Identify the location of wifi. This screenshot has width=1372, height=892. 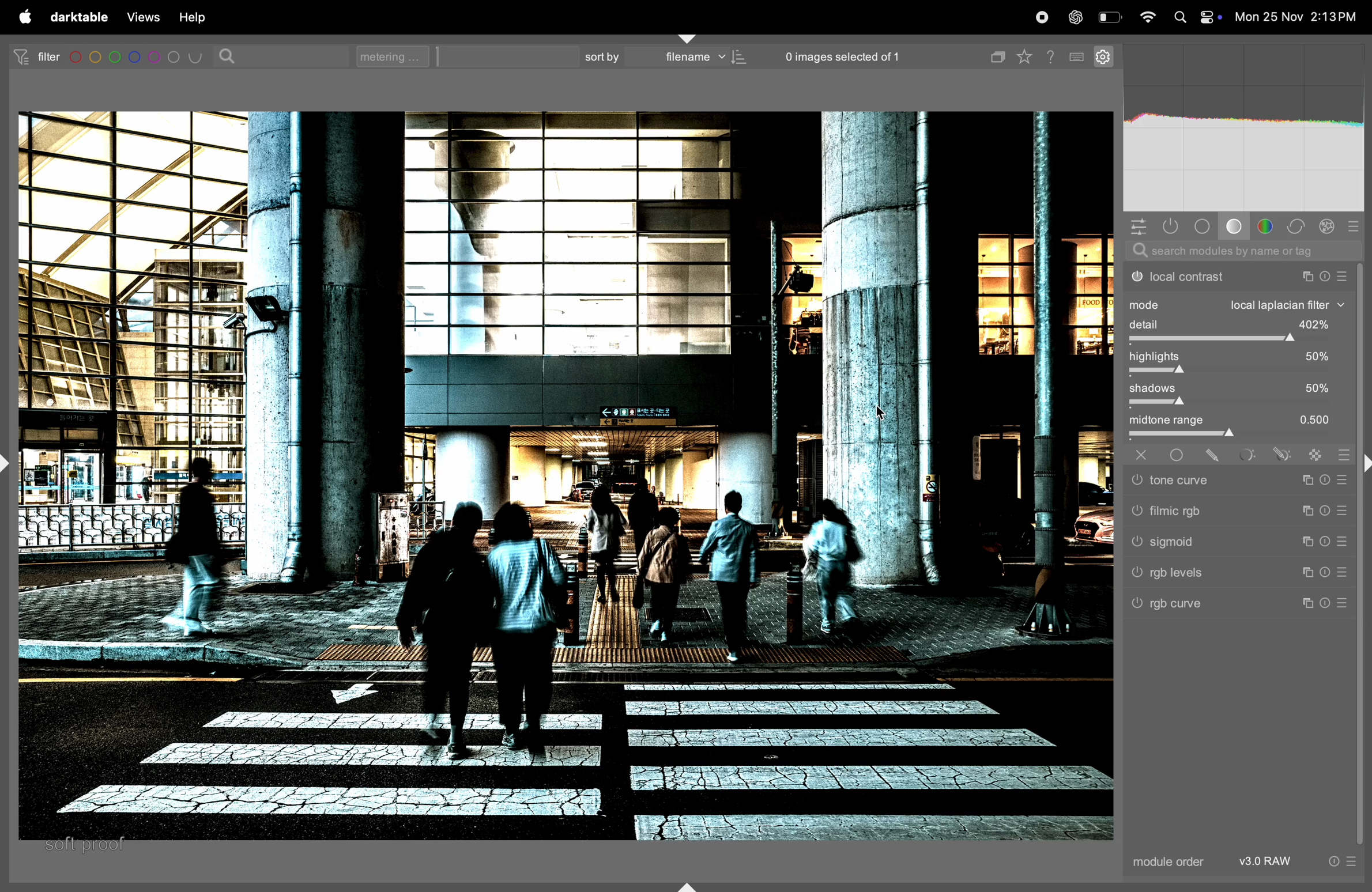
(1148, 19).